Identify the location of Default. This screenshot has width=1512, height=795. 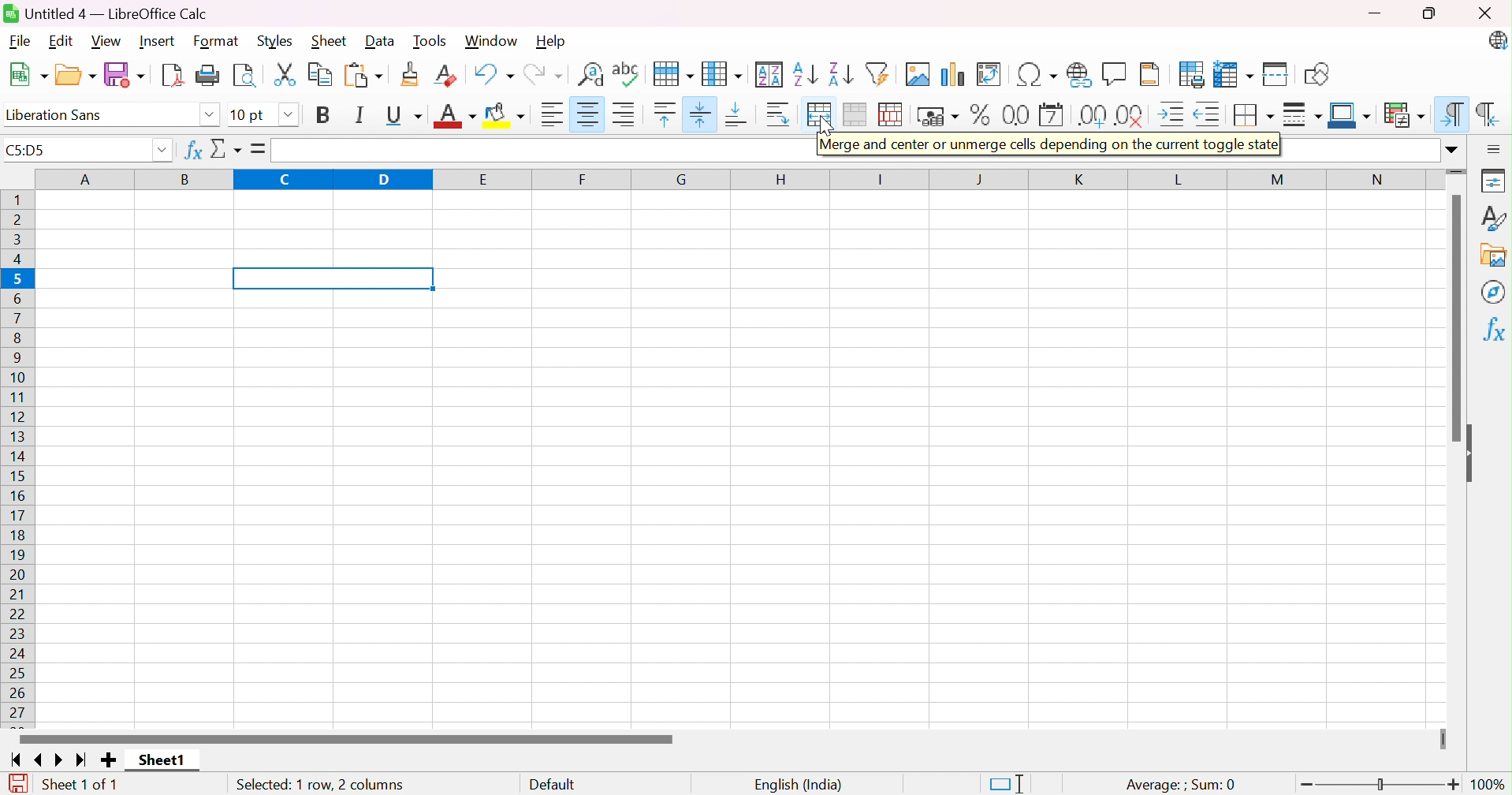
(554, 782).